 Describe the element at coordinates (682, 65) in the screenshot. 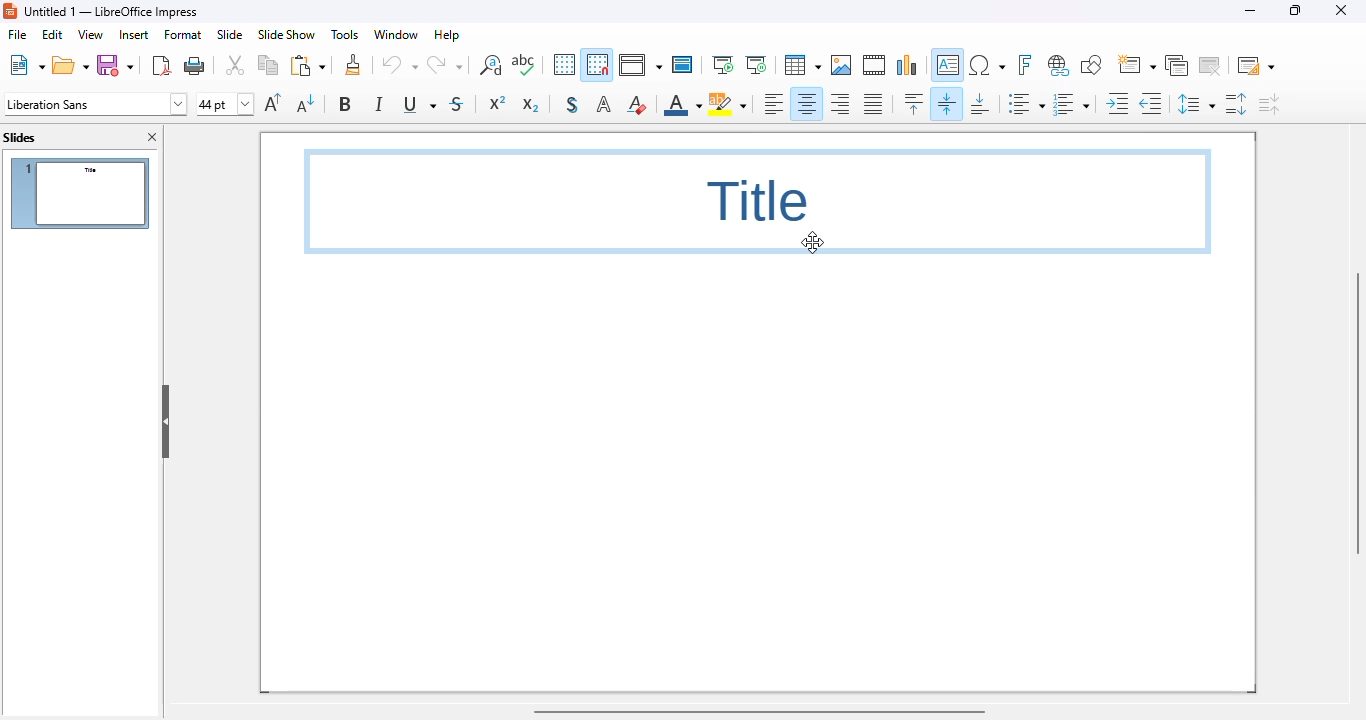

I see `master slide` at that location.